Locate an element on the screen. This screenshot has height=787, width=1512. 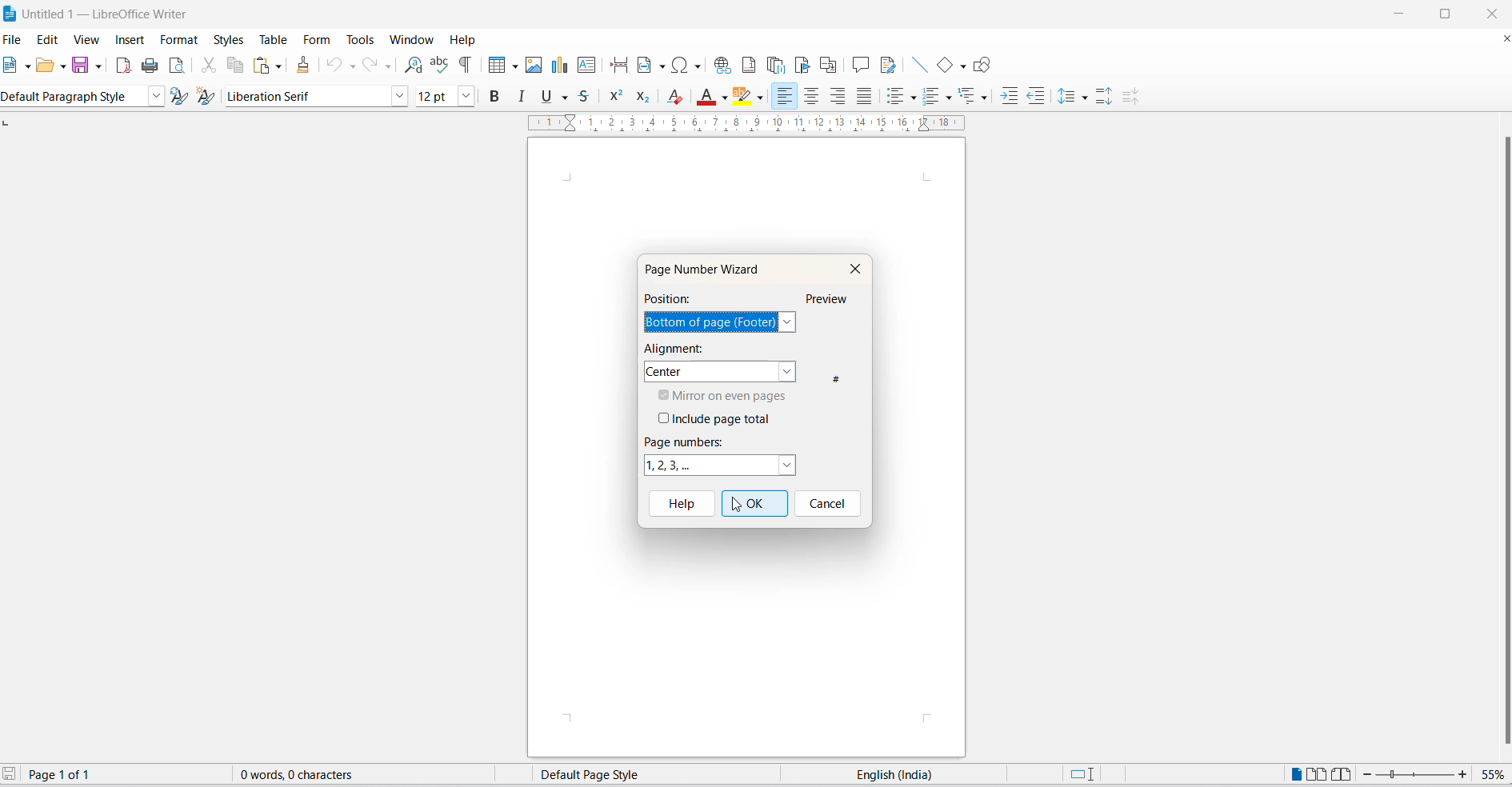
libreoffice logo is located at coordinates (10, 12).